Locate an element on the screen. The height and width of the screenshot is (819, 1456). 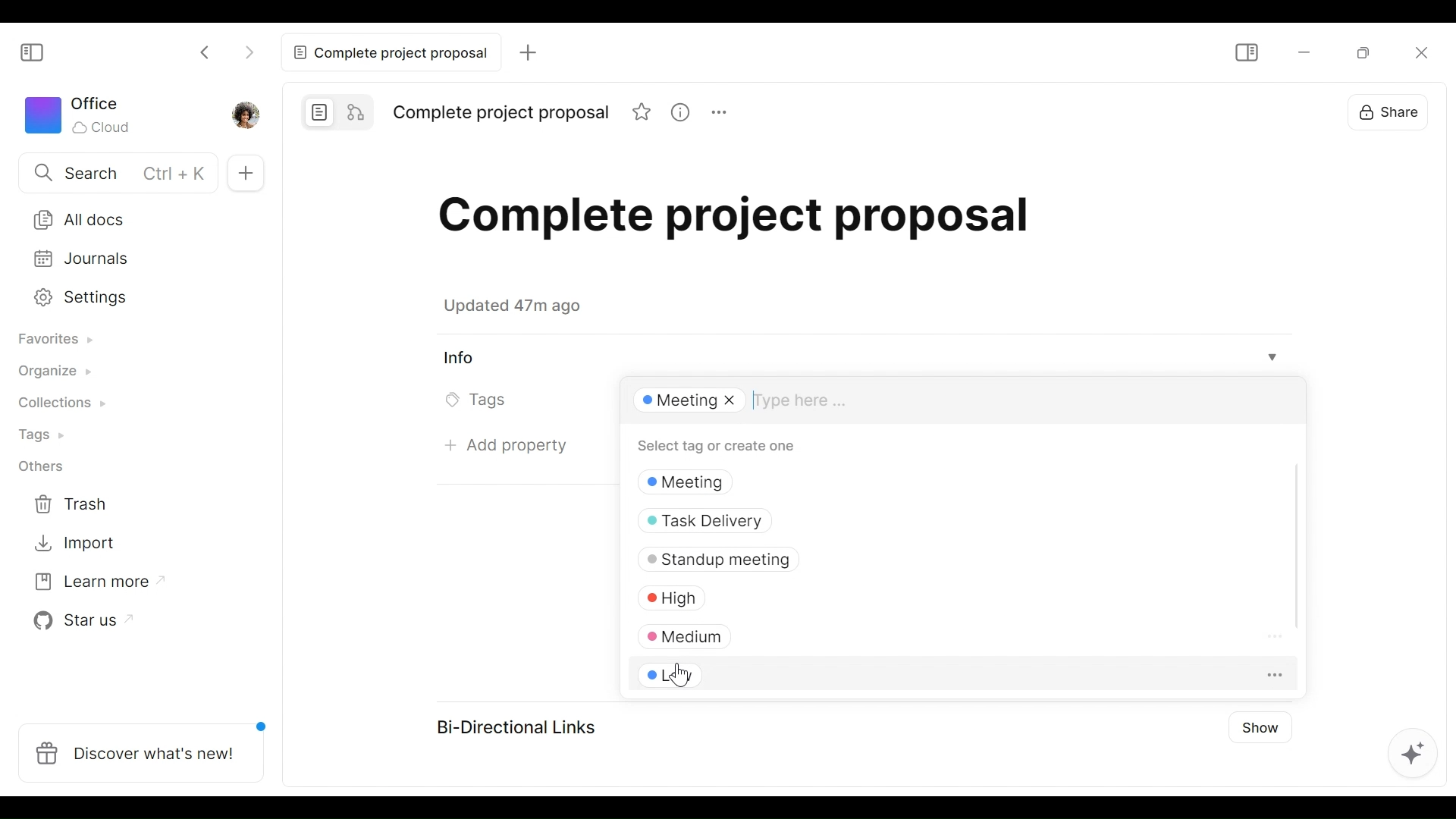
Cursor is located at coordinates (681, 676).